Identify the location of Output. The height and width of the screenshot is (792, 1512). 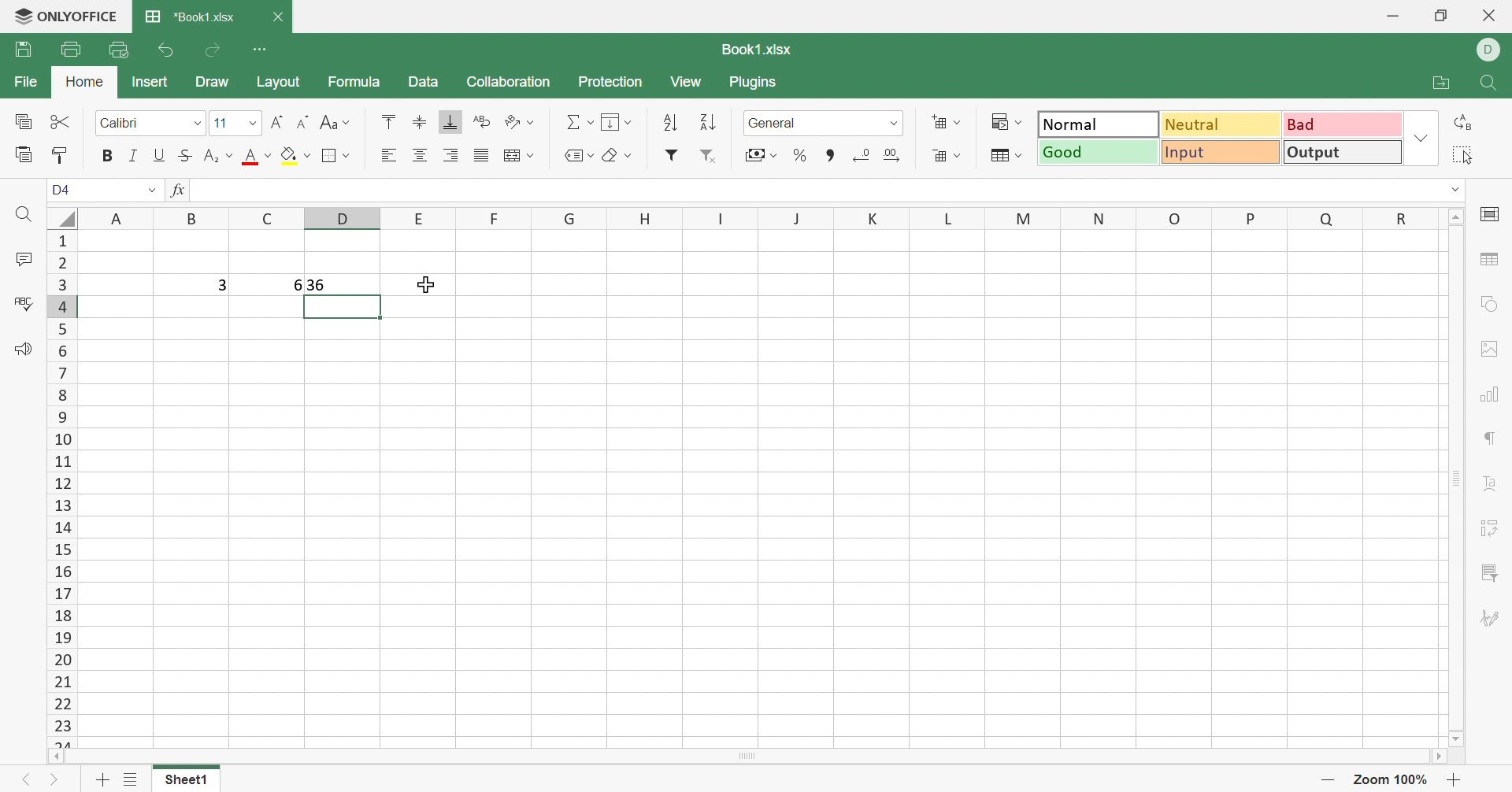
(1343, 154).